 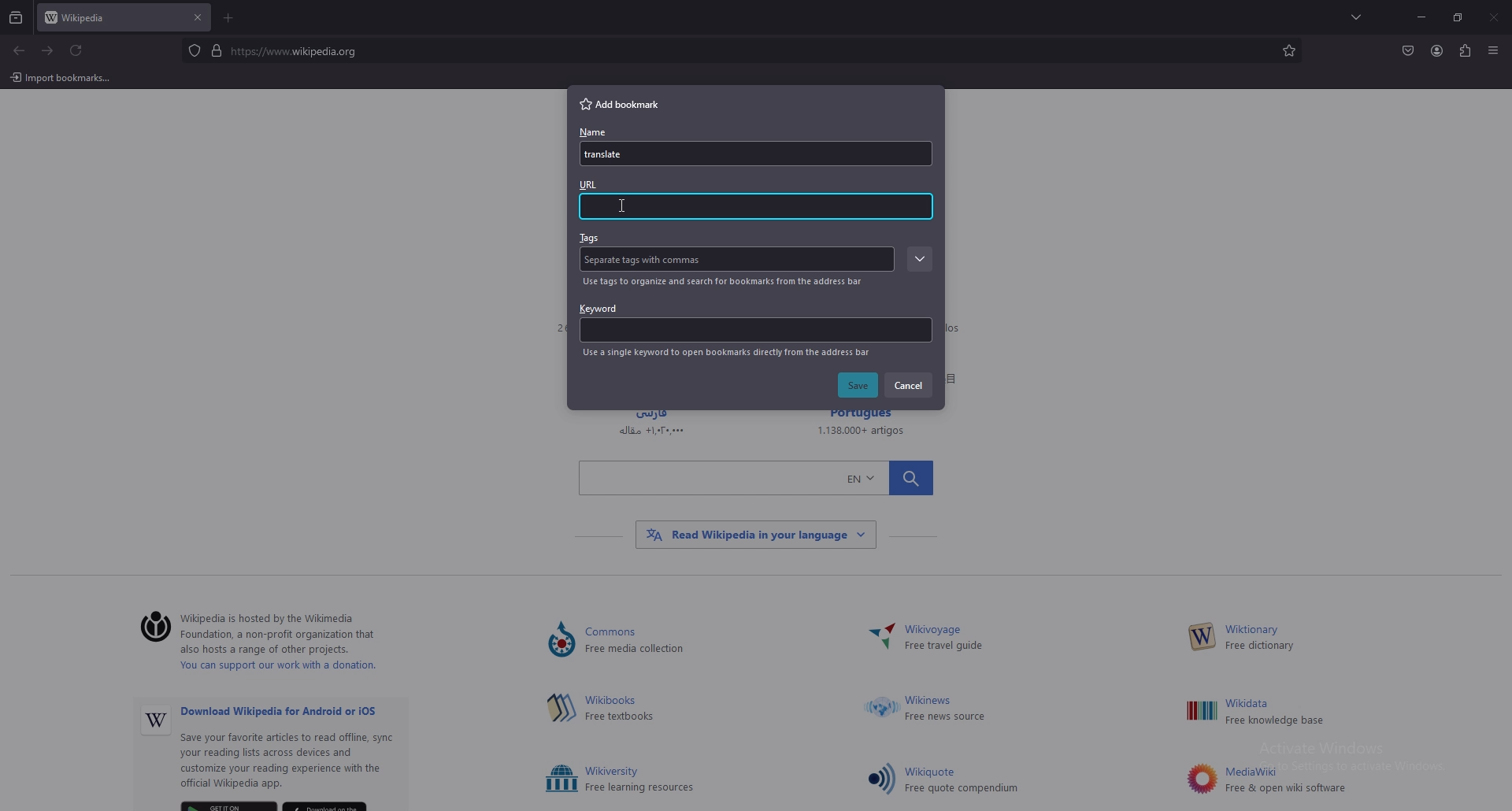 What do you see at coordinates (48, 51) in the screenshot?
I see `forward` at bounding box center [48, 51].